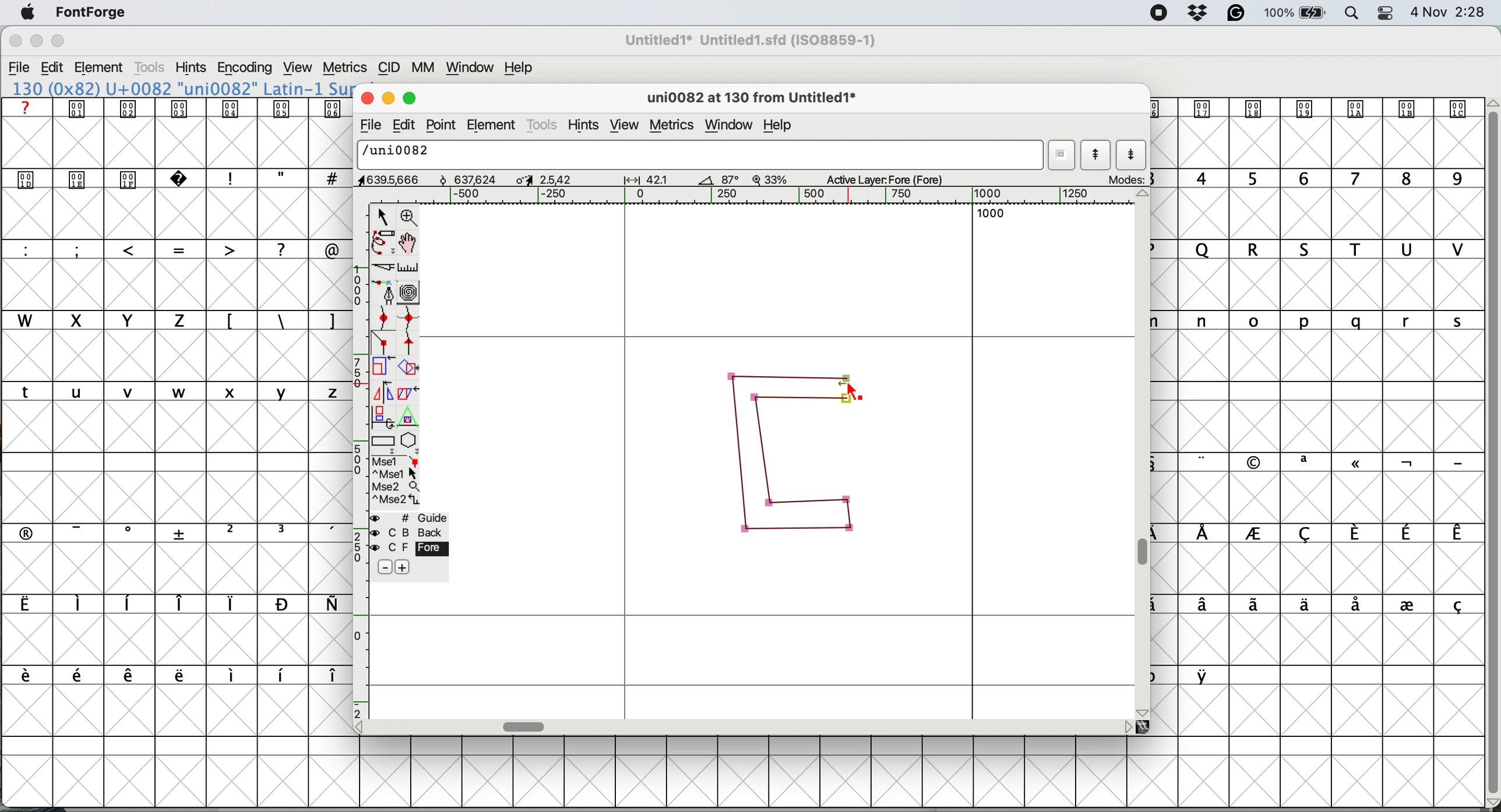  What do you see at coordinates (344, 68) in the screenshot?
I see `metrics` at bounding box center [344, 68].